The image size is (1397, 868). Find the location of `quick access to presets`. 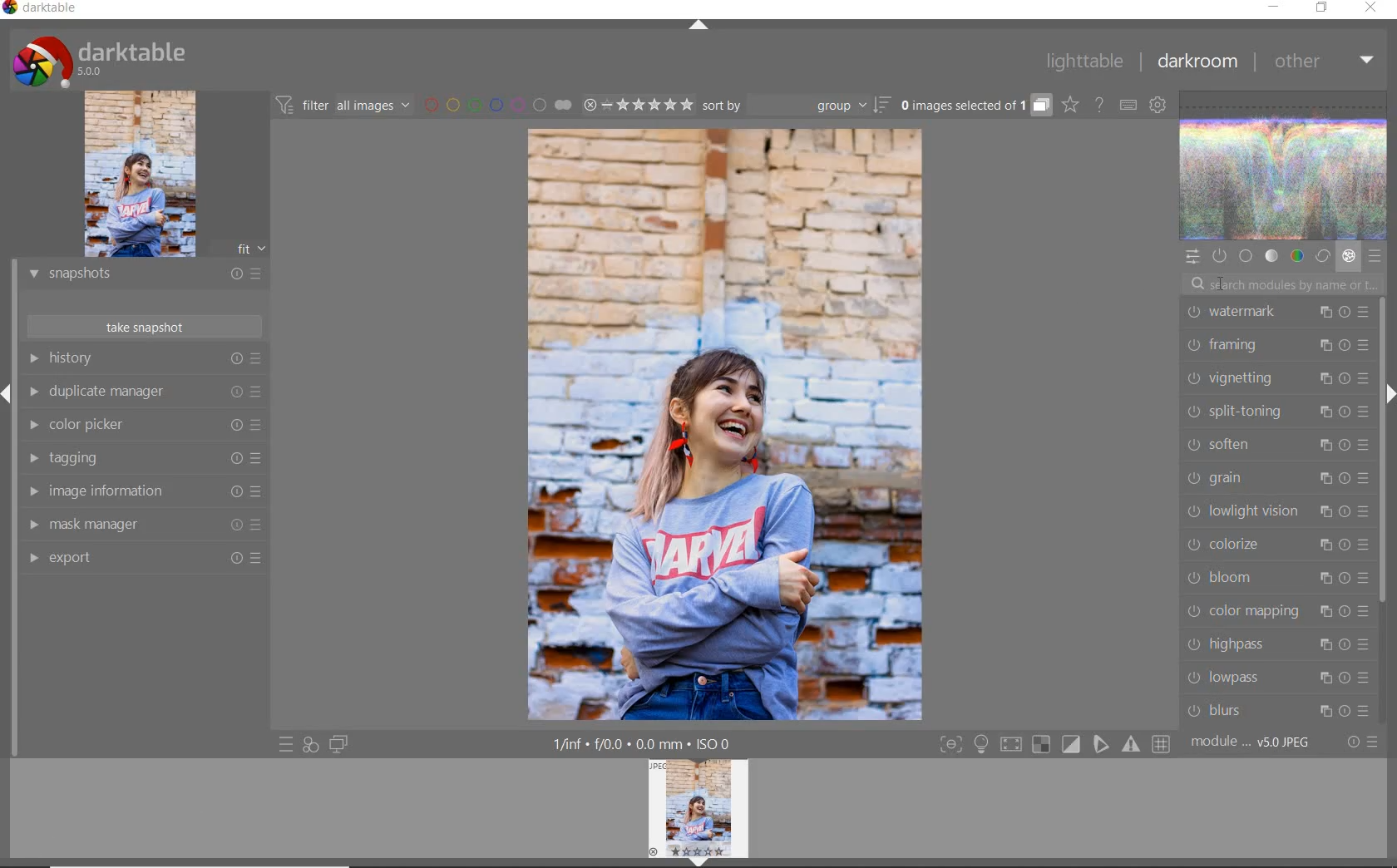

quick access to presets is located at coordinates (288, 743).